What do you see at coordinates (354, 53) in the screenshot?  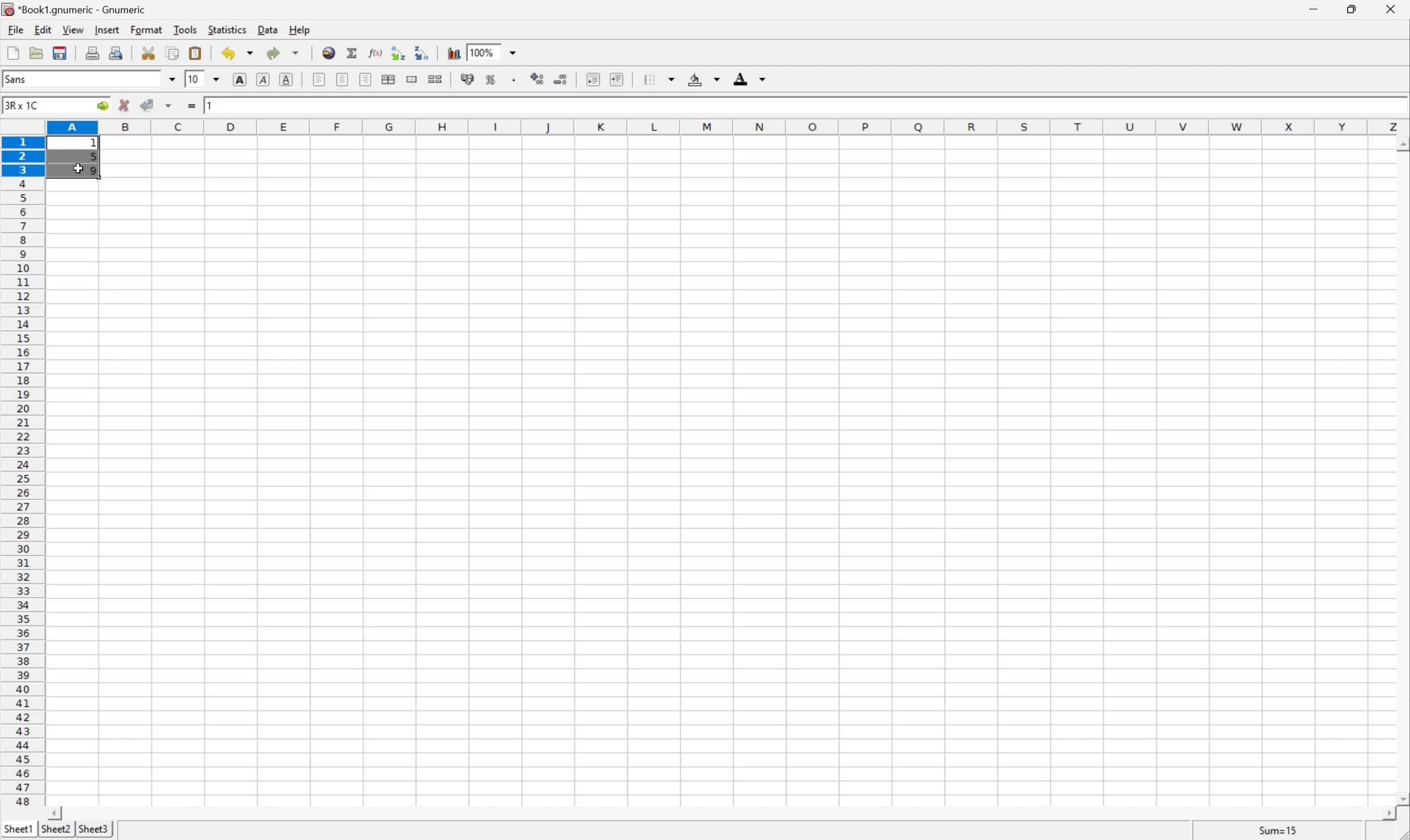 I see `sum in current cell` at bounding box center [354, 53].